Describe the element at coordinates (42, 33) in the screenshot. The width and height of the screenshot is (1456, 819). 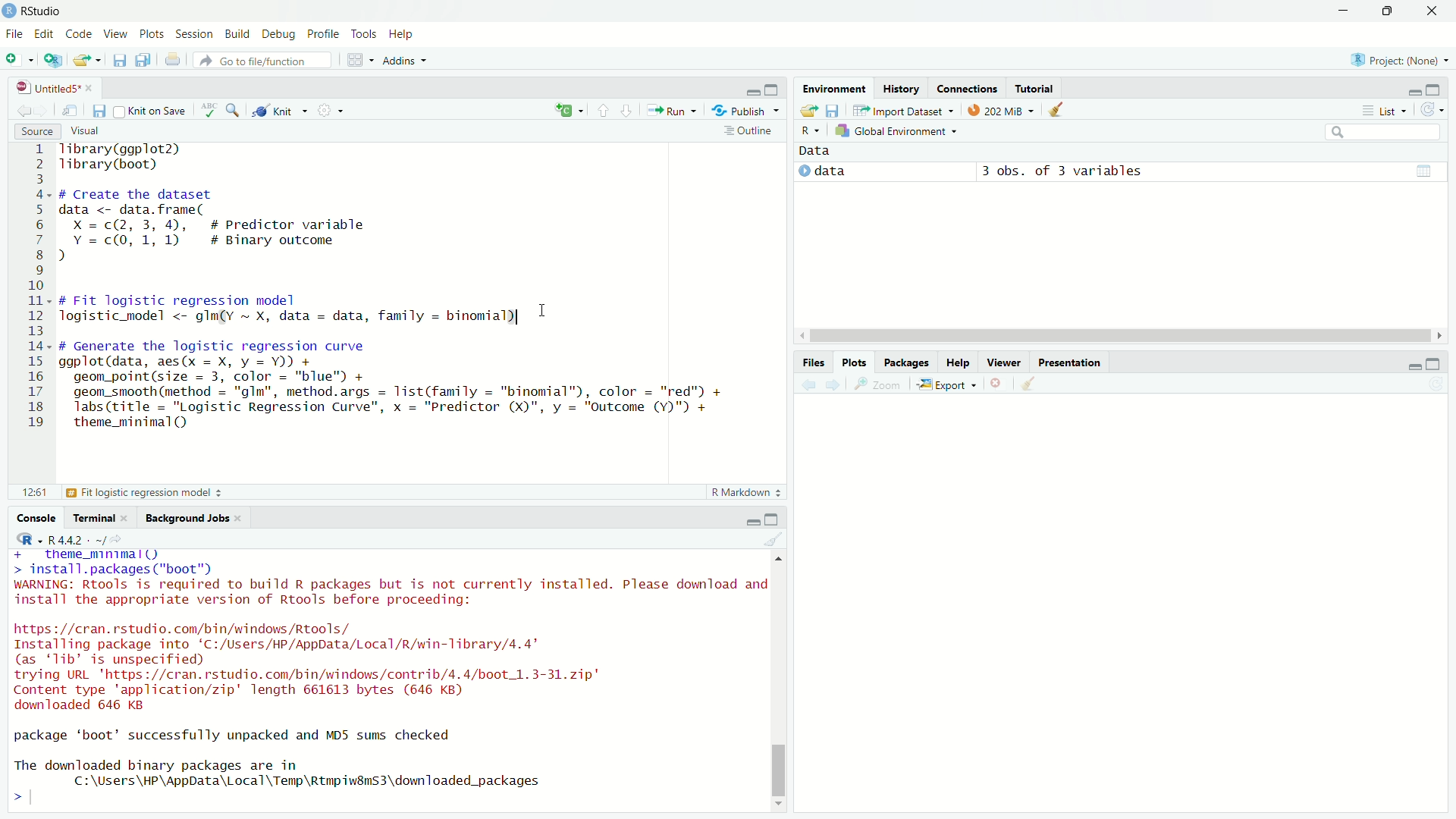
I see `Edit` at that location.